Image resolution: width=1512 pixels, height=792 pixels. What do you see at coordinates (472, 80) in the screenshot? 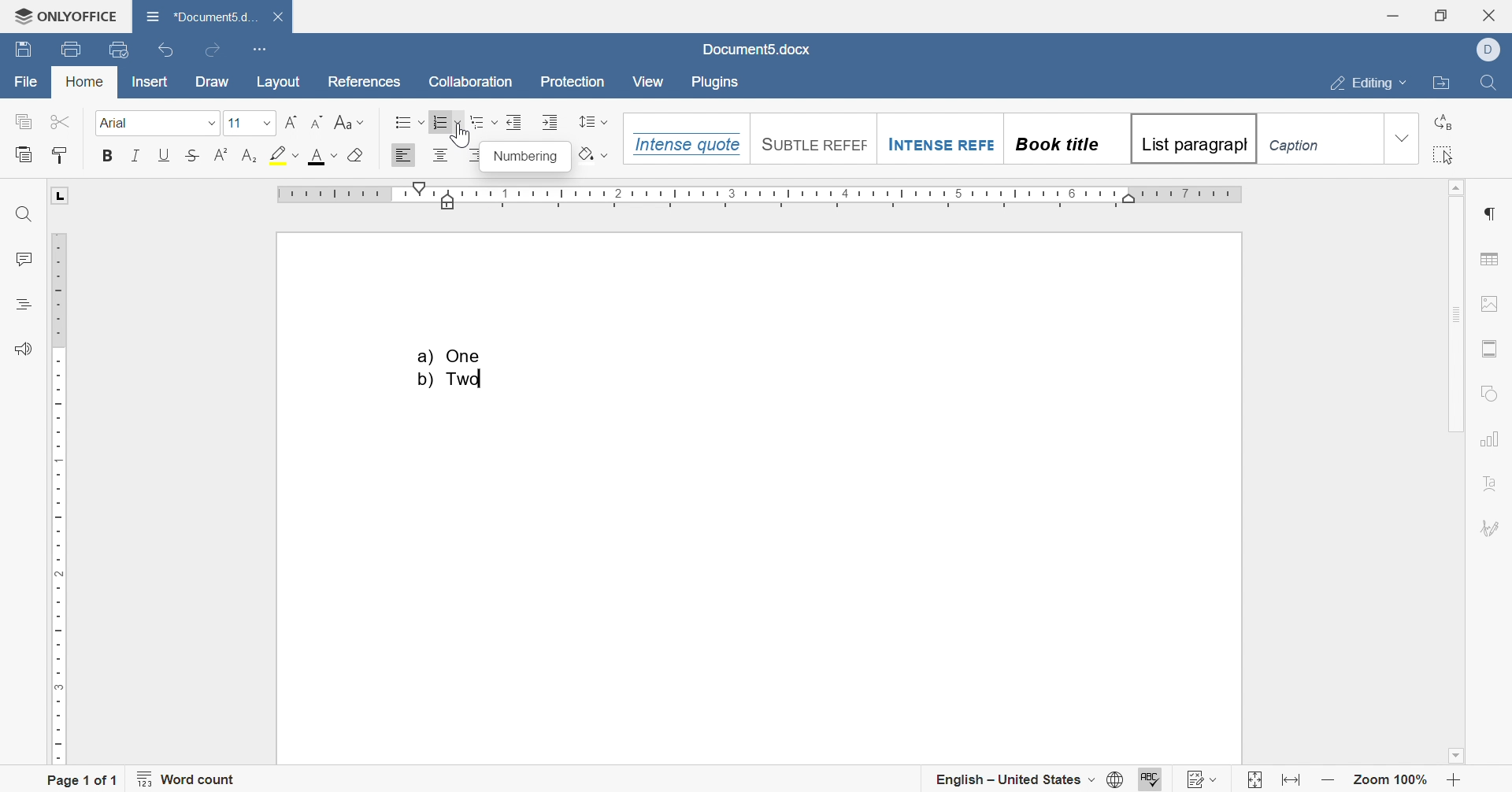
I see `collaboration` at bounding box center [472, 80].